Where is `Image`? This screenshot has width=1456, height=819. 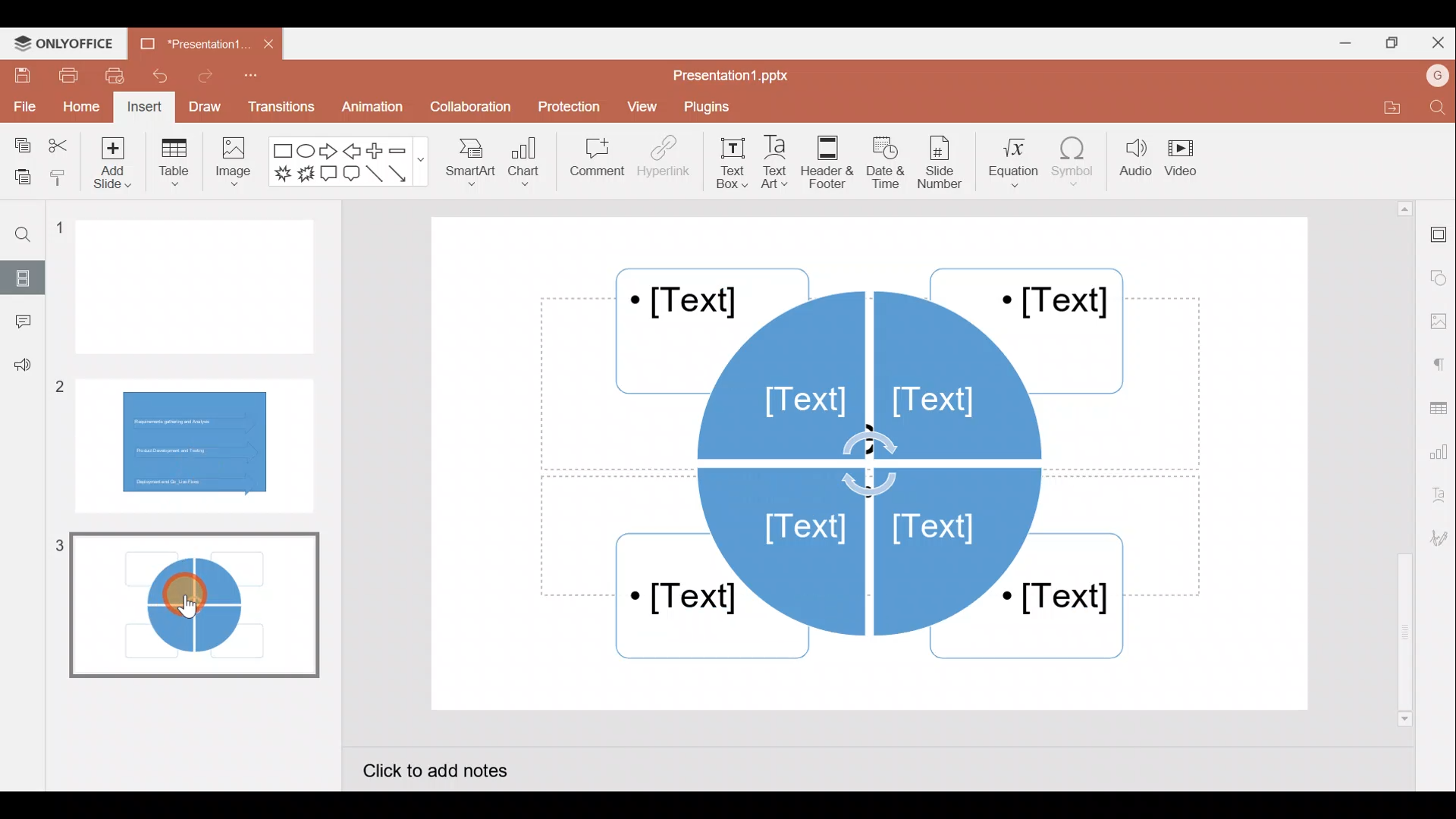 Image is located at coordinates (236, 168).